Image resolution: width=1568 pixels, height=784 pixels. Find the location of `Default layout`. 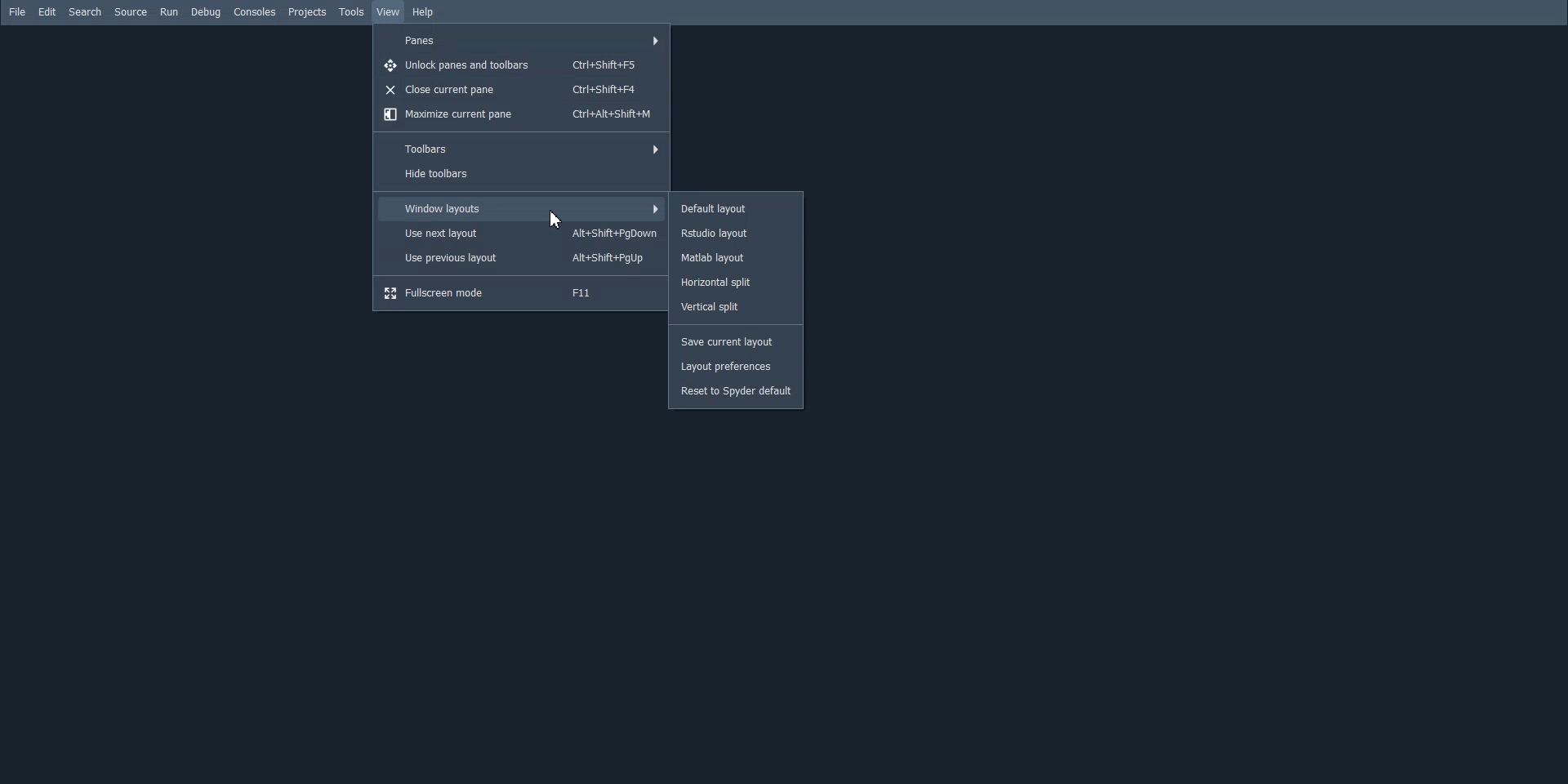

Default layout is located at coordinates (736, 208).